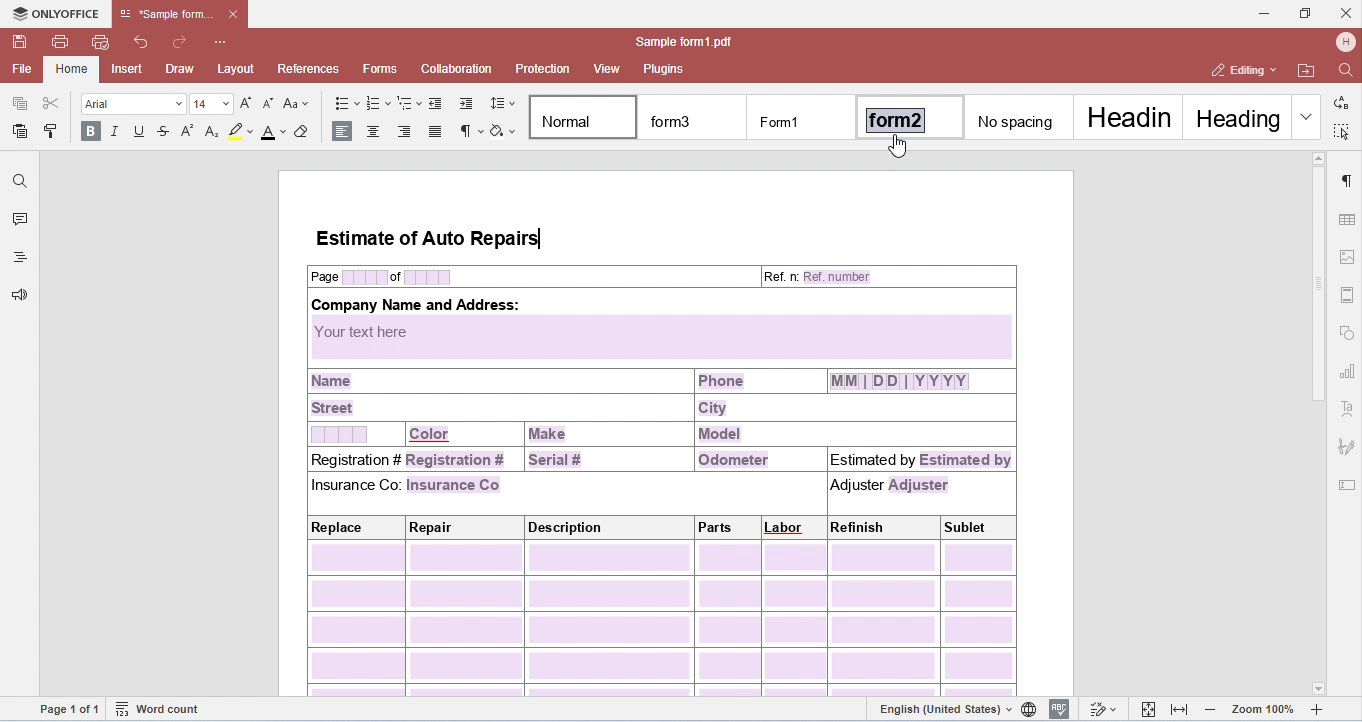 The height and width of the screenshot is (722, 1362). What do you see at coordinates (1031, 709) in the screenshot?
I see `set document language` at bounding box center [1031, 709].